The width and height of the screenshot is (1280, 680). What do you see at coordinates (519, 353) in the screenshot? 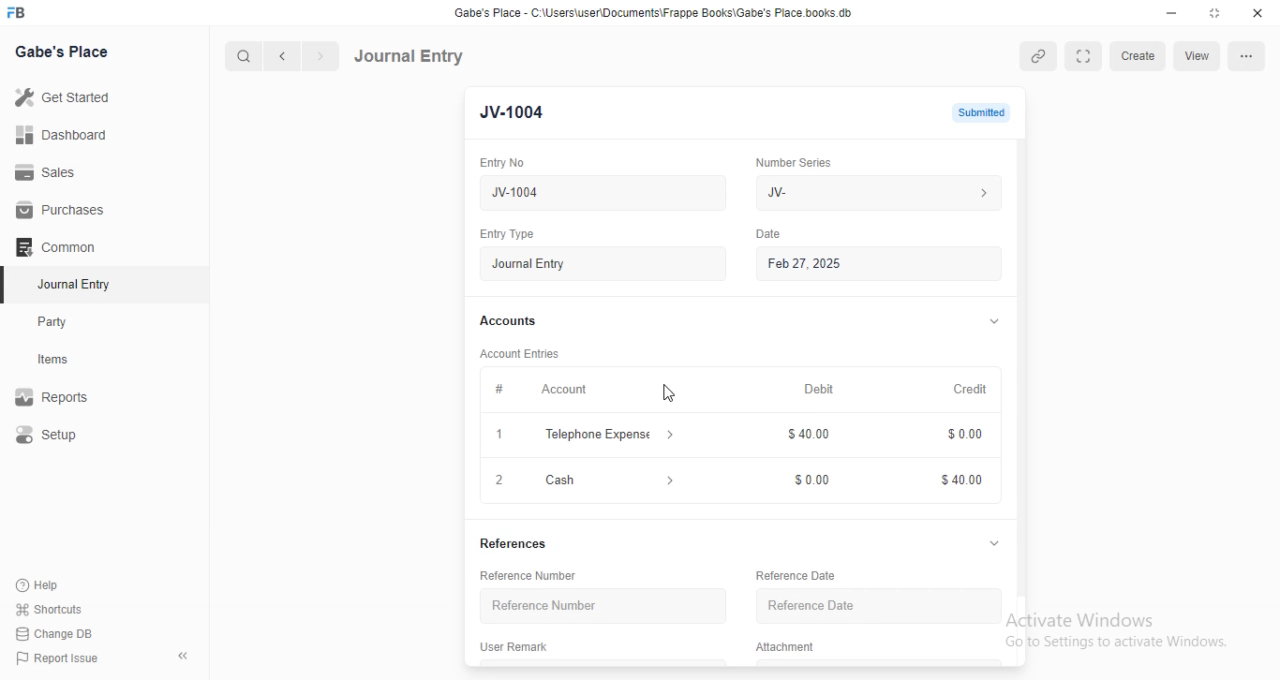
I see `Account entries` at bounding box center [519, 353].